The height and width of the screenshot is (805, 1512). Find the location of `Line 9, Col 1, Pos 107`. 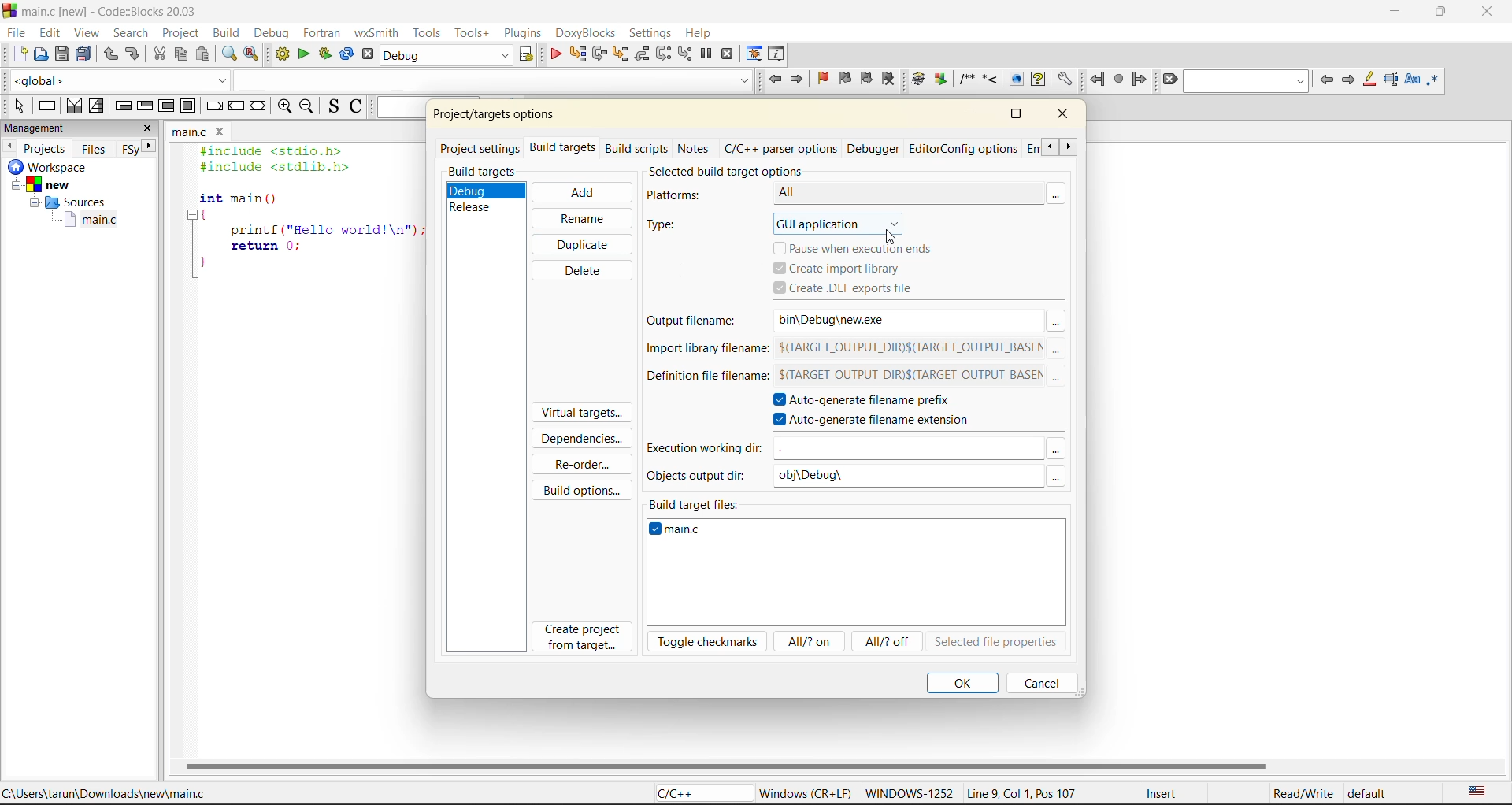

Line 9, Col 1, Pos 107 is located at coordinates (1021, 796).